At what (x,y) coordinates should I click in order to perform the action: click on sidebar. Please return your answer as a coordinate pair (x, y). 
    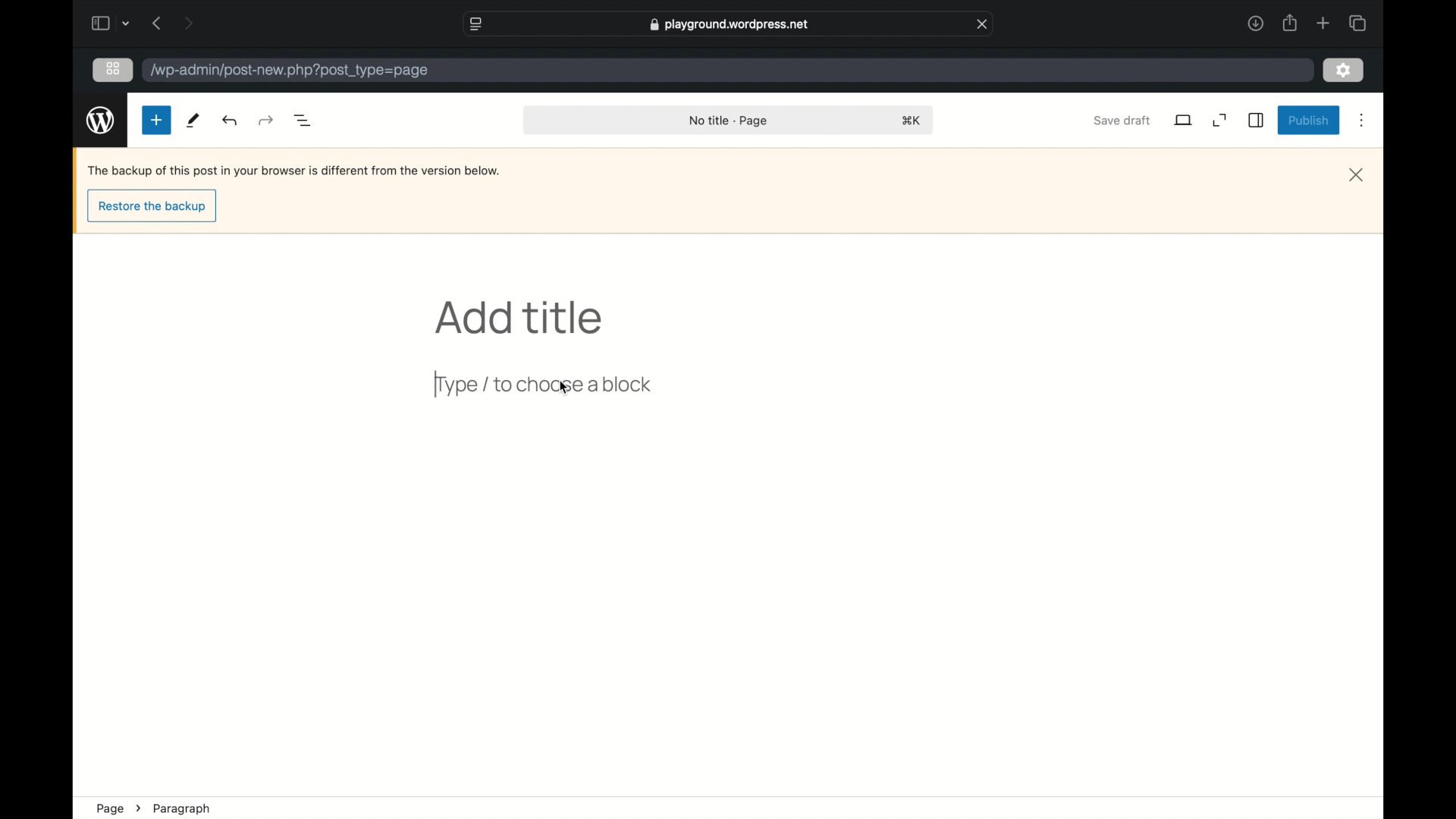
    Looking at the image, I should click on (99, 23).